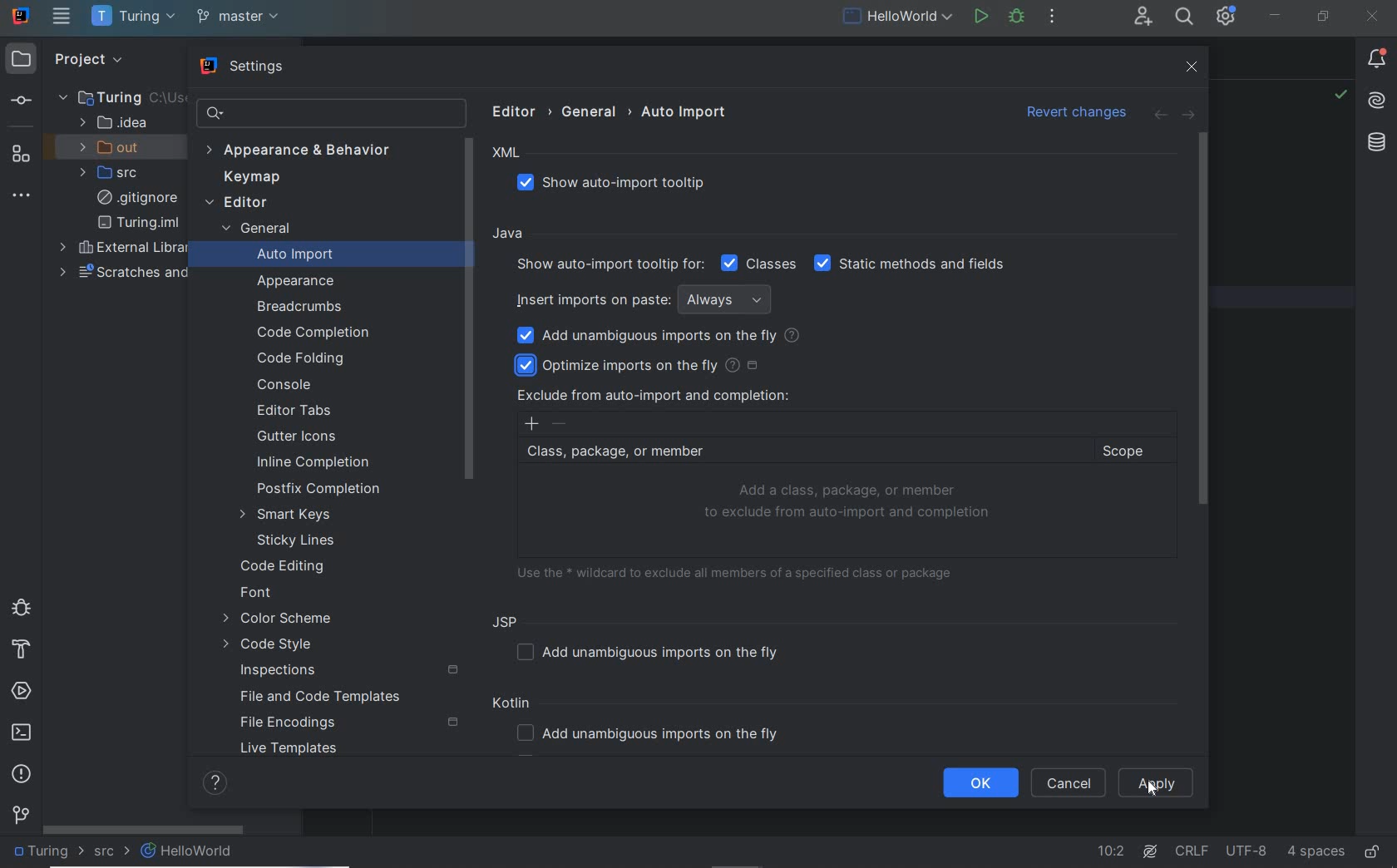 The image size is (1397, 868). What do you see at coordinates (509, 621) in the screenshot?
I see `JSP` at bounding box center [509, 621].